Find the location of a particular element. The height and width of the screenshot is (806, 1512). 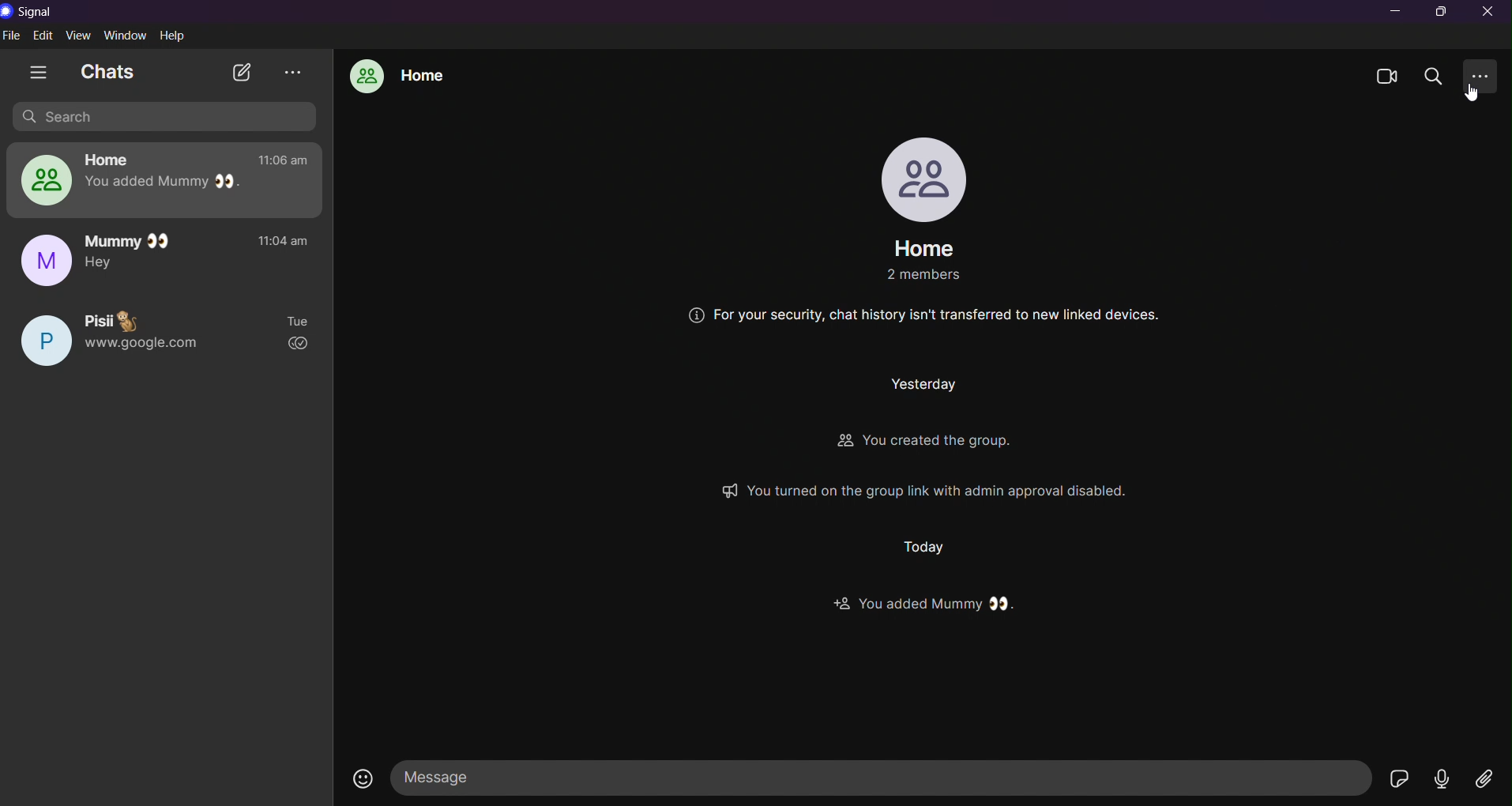

chats is located at coordinates (110, 71).